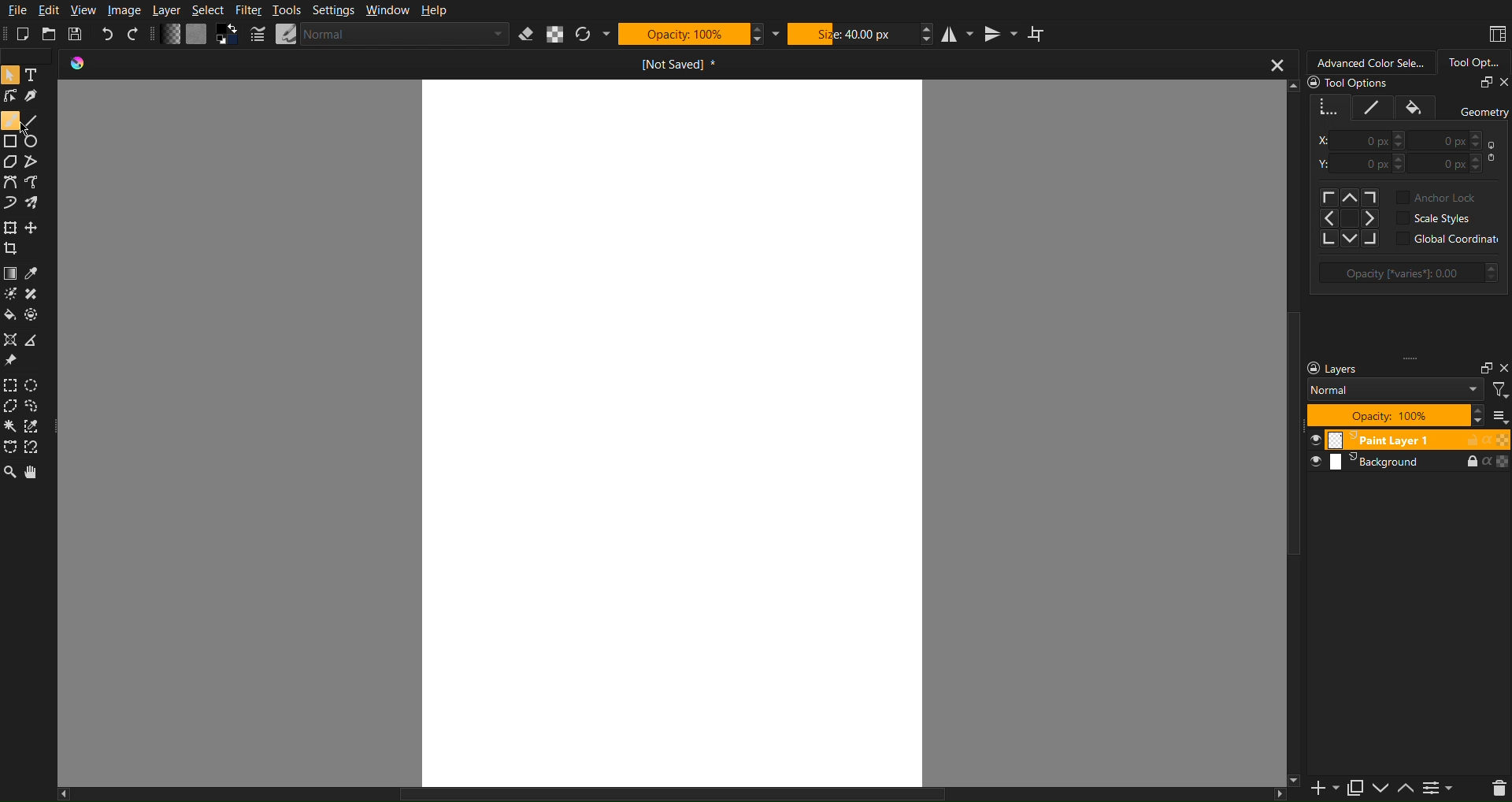 This screenshot has height=802, width=1512. I want to click on Square Marquee Tool, so click(13, 386).